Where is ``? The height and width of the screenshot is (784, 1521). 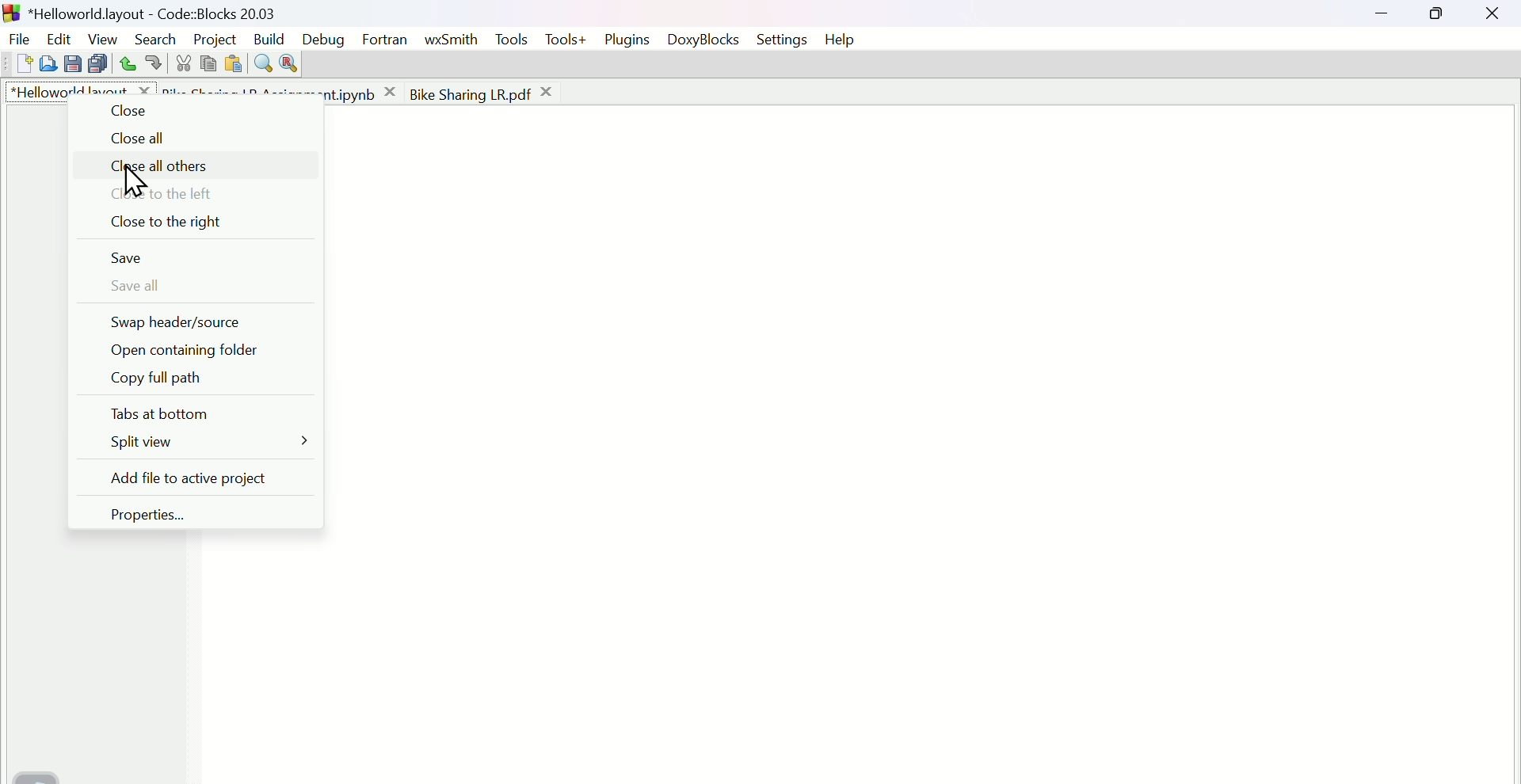  is located at coordinates (204, 444).